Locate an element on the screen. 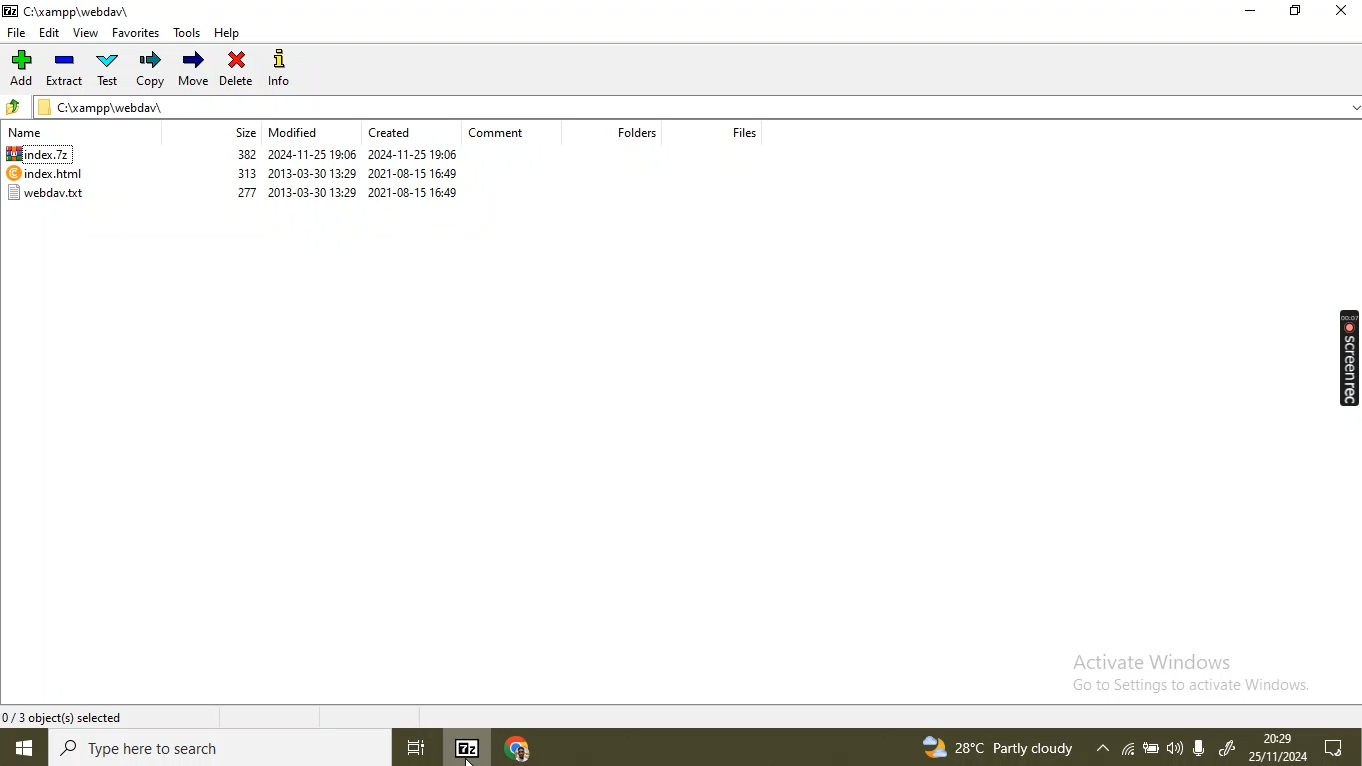 The width and height of the screenshot is (1362, 766). index.7z is located at coordinates (44, 151).